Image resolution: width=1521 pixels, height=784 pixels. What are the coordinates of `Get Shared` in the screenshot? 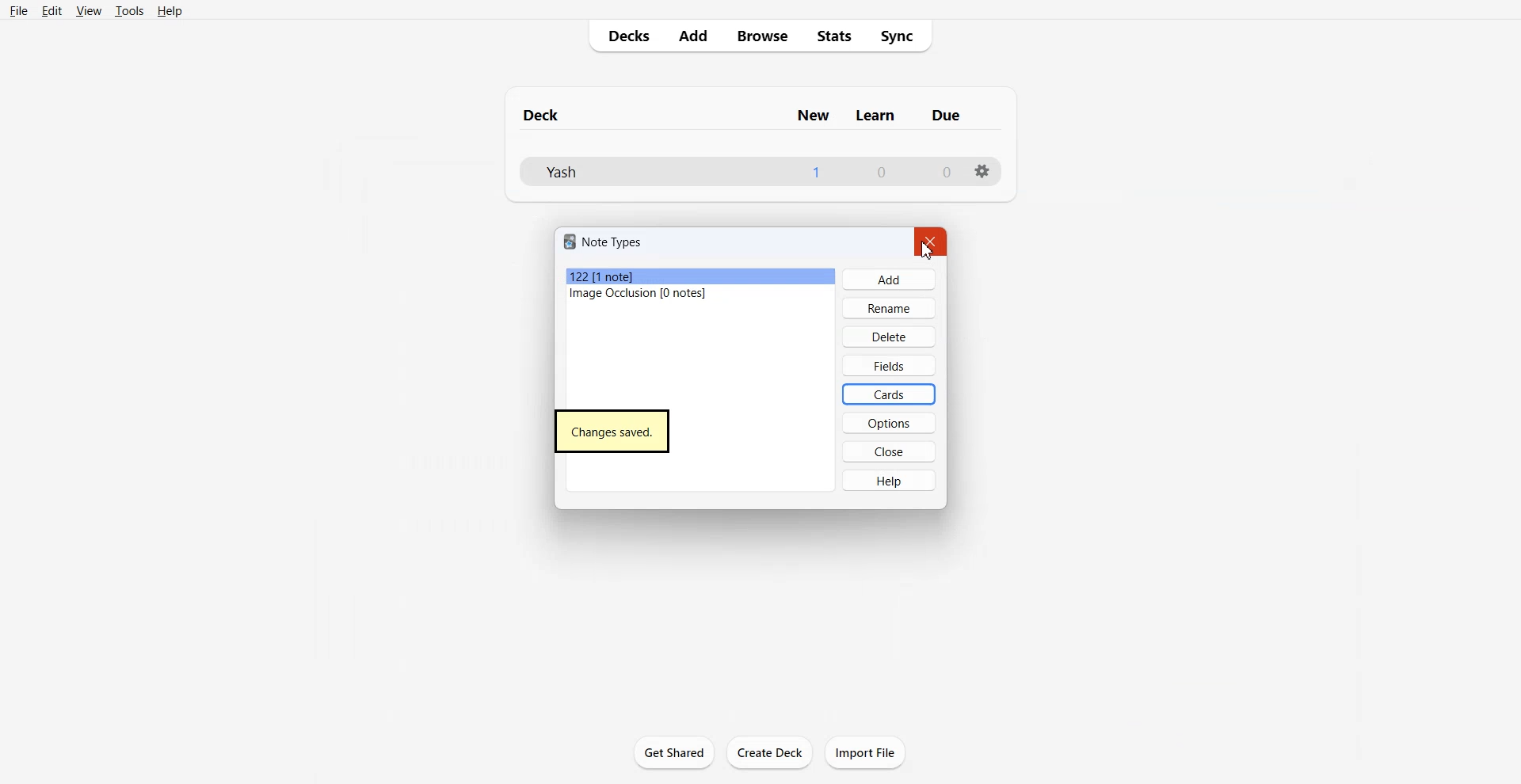 It's located at (673, 751).